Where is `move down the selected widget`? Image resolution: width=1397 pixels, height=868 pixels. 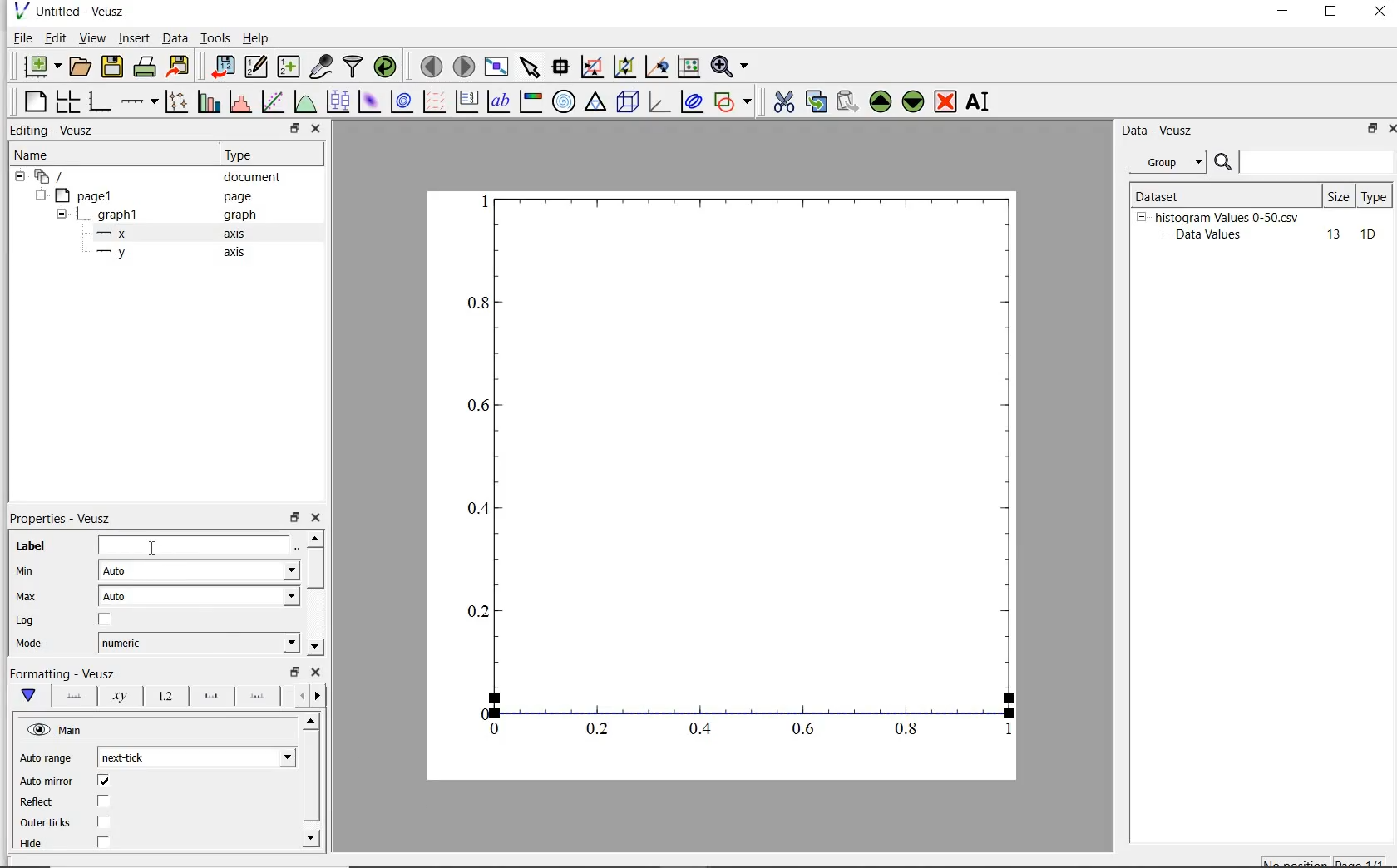
move down the selected widget is located at coordinates (913, 104).